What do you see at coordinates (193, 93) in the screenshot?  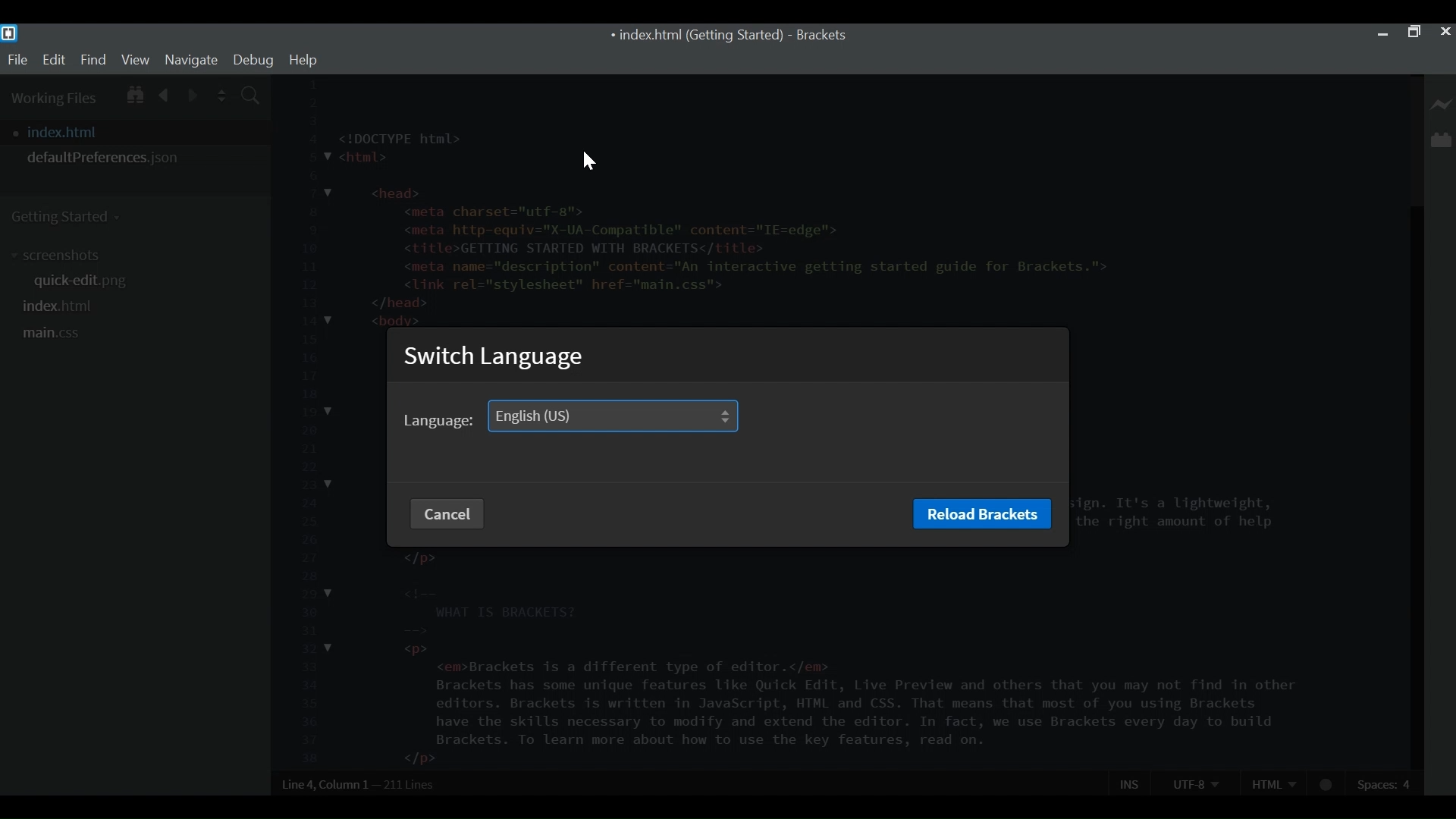 I see `Navigate Forward` at bounding box center [193, 93].